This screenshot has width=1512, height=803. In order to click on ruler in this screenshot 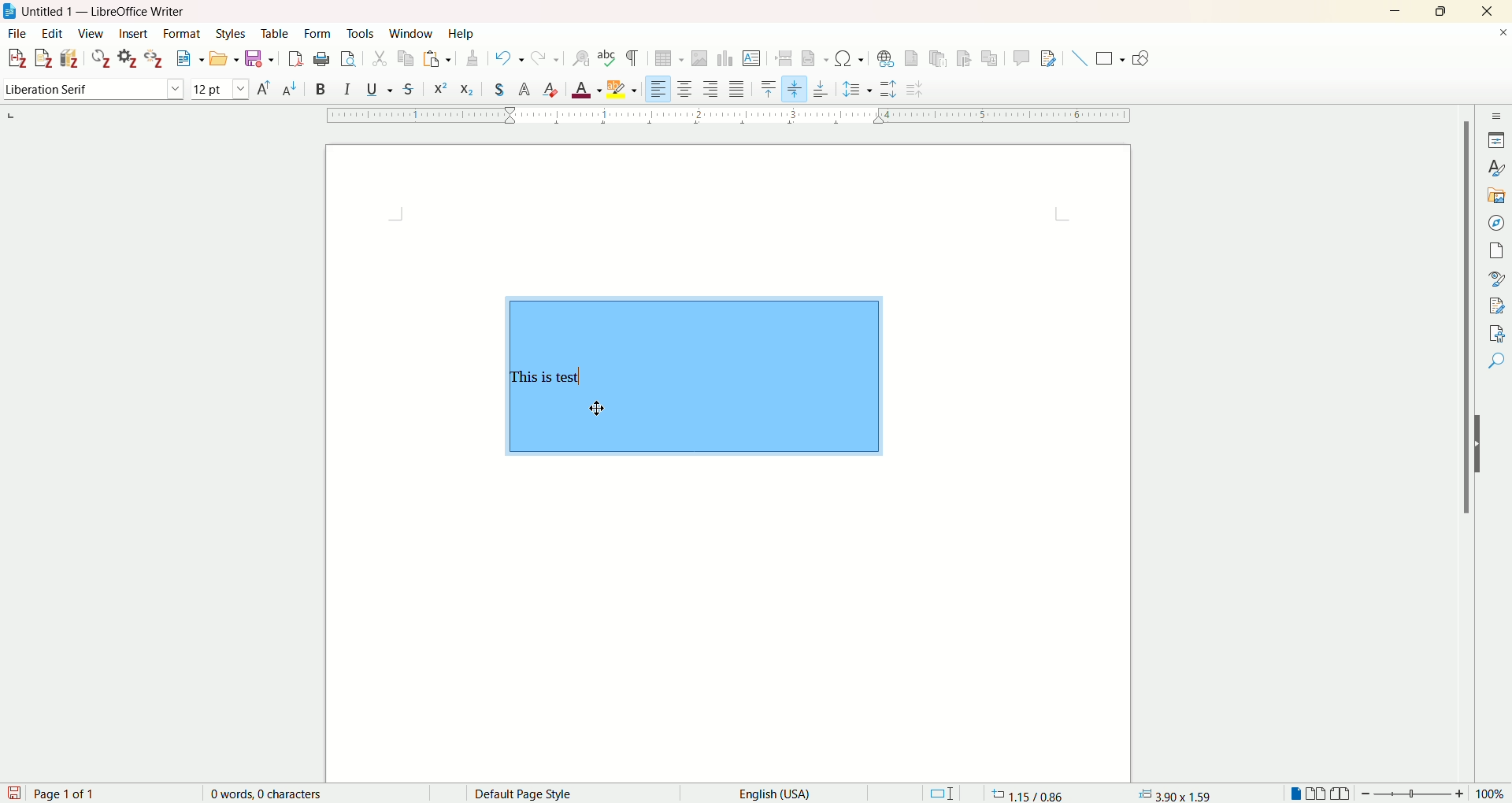, I will do `click(730, 115)`.